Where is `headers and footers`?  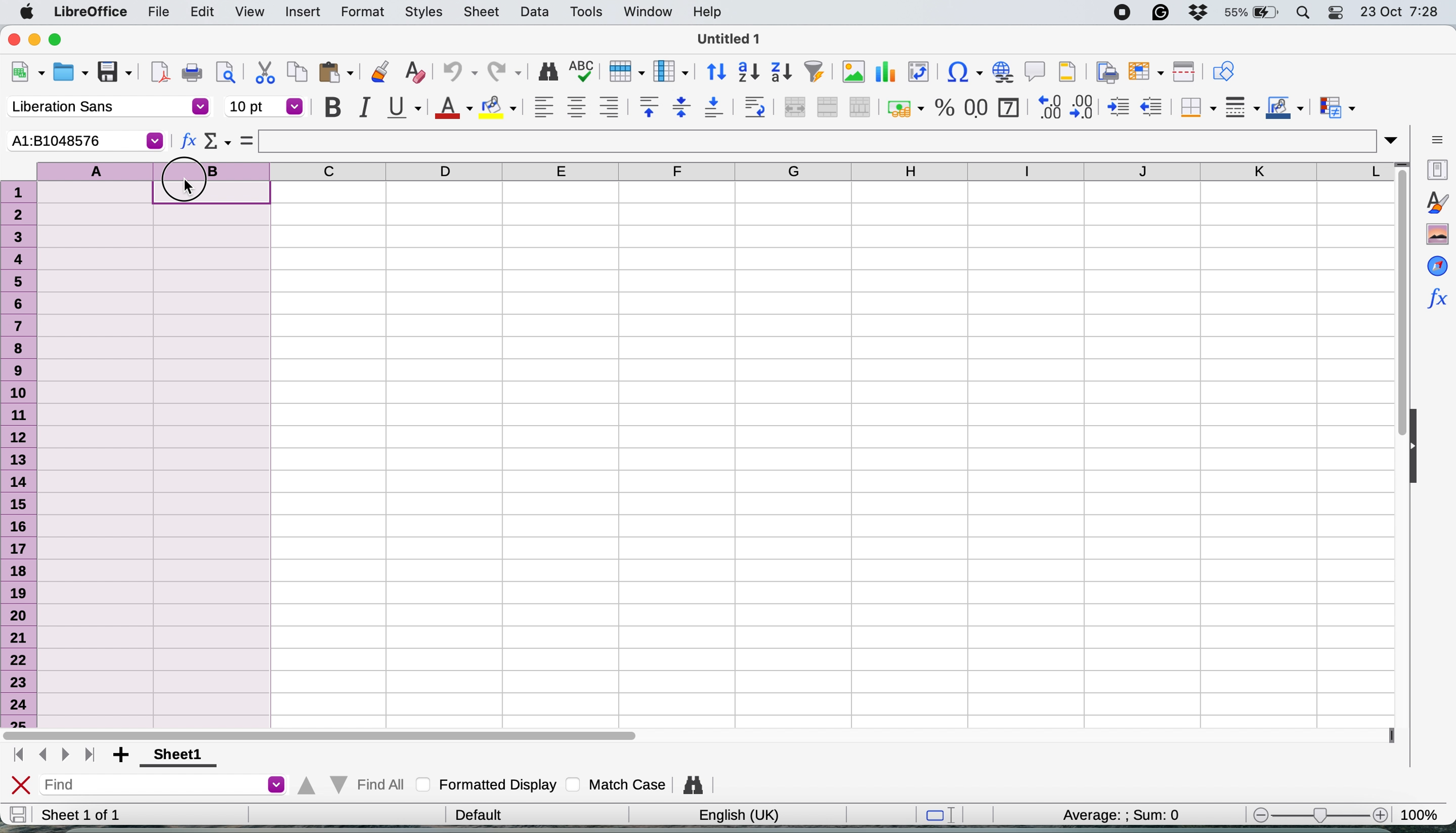
headers and footers is located at coordinates (1069, 72).